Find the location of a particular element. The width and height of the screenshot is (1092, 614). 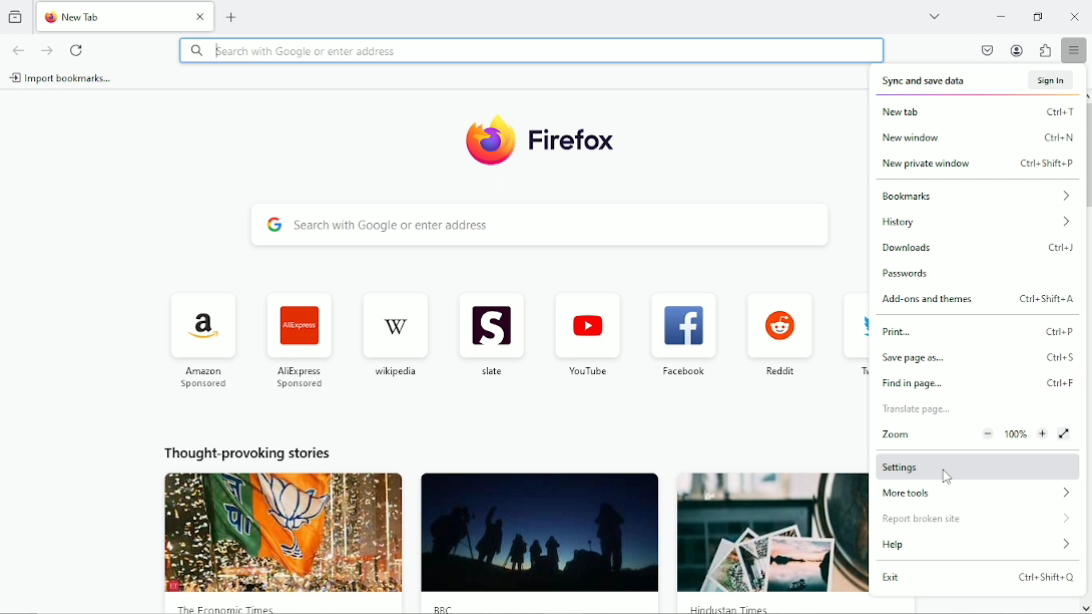

Close is located at coordinates (201, 17).